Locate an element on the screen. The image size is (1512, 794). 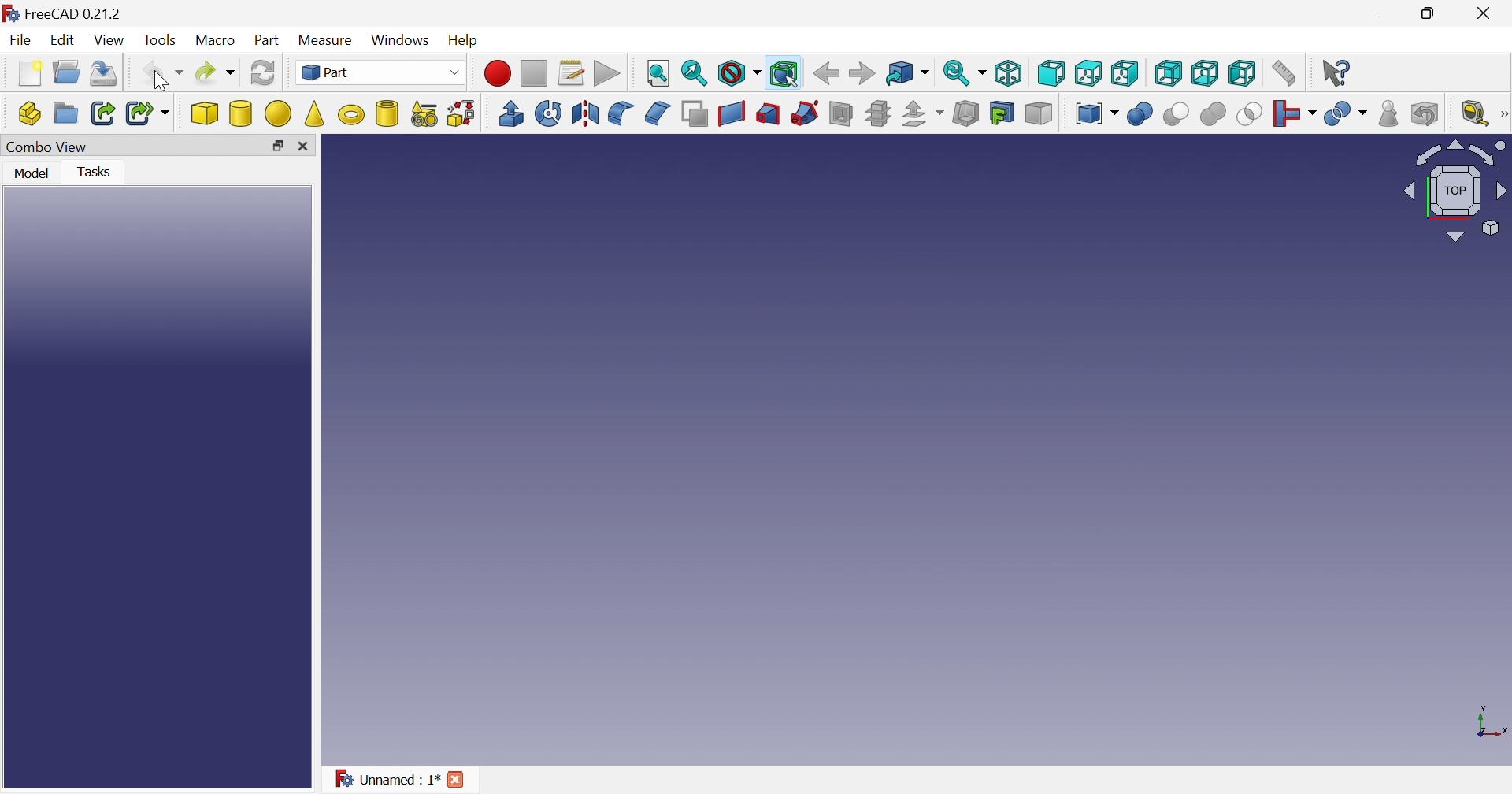
Part is located at coordinates (269, 42).